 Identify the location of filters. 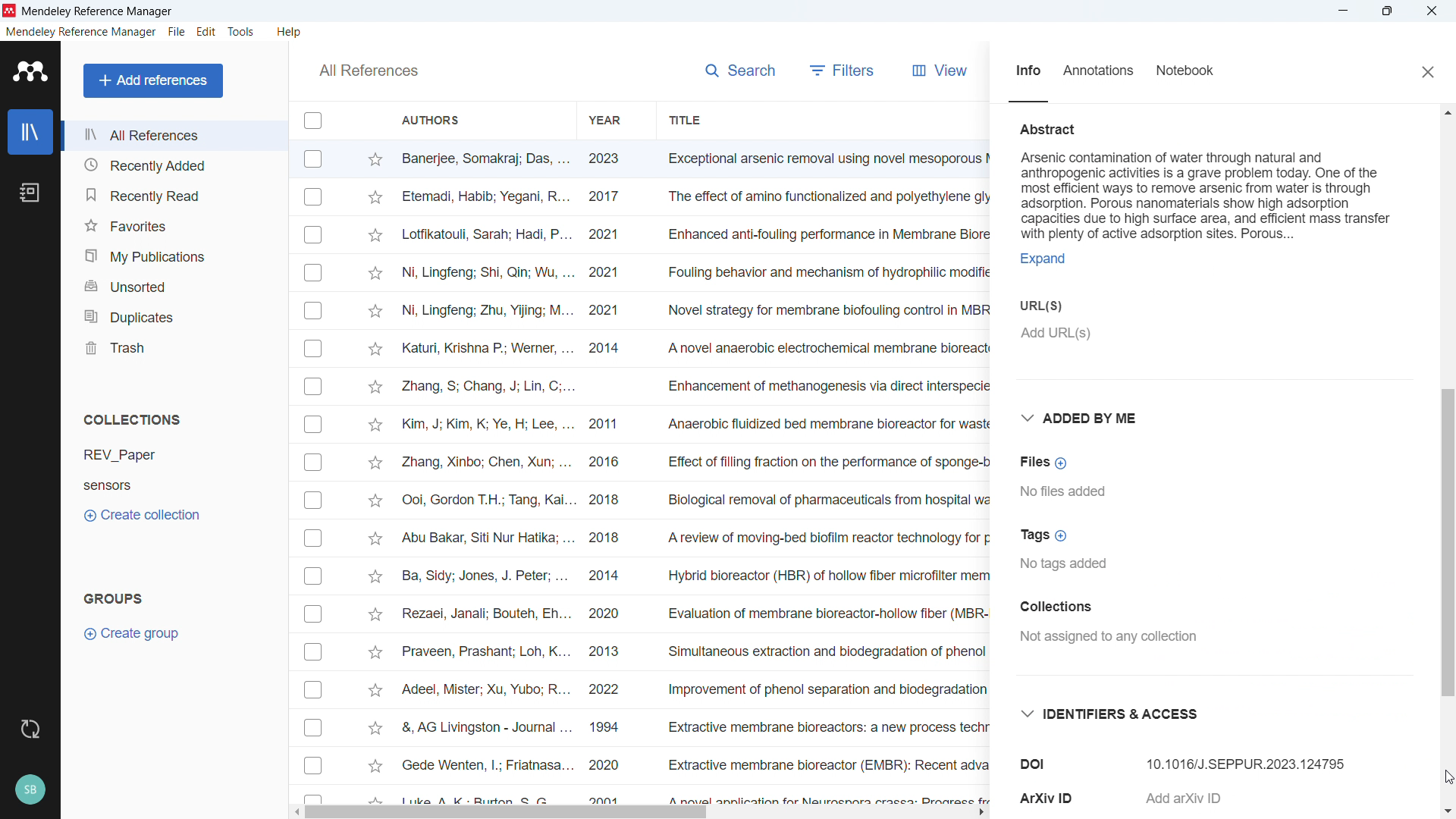
(846, 71).